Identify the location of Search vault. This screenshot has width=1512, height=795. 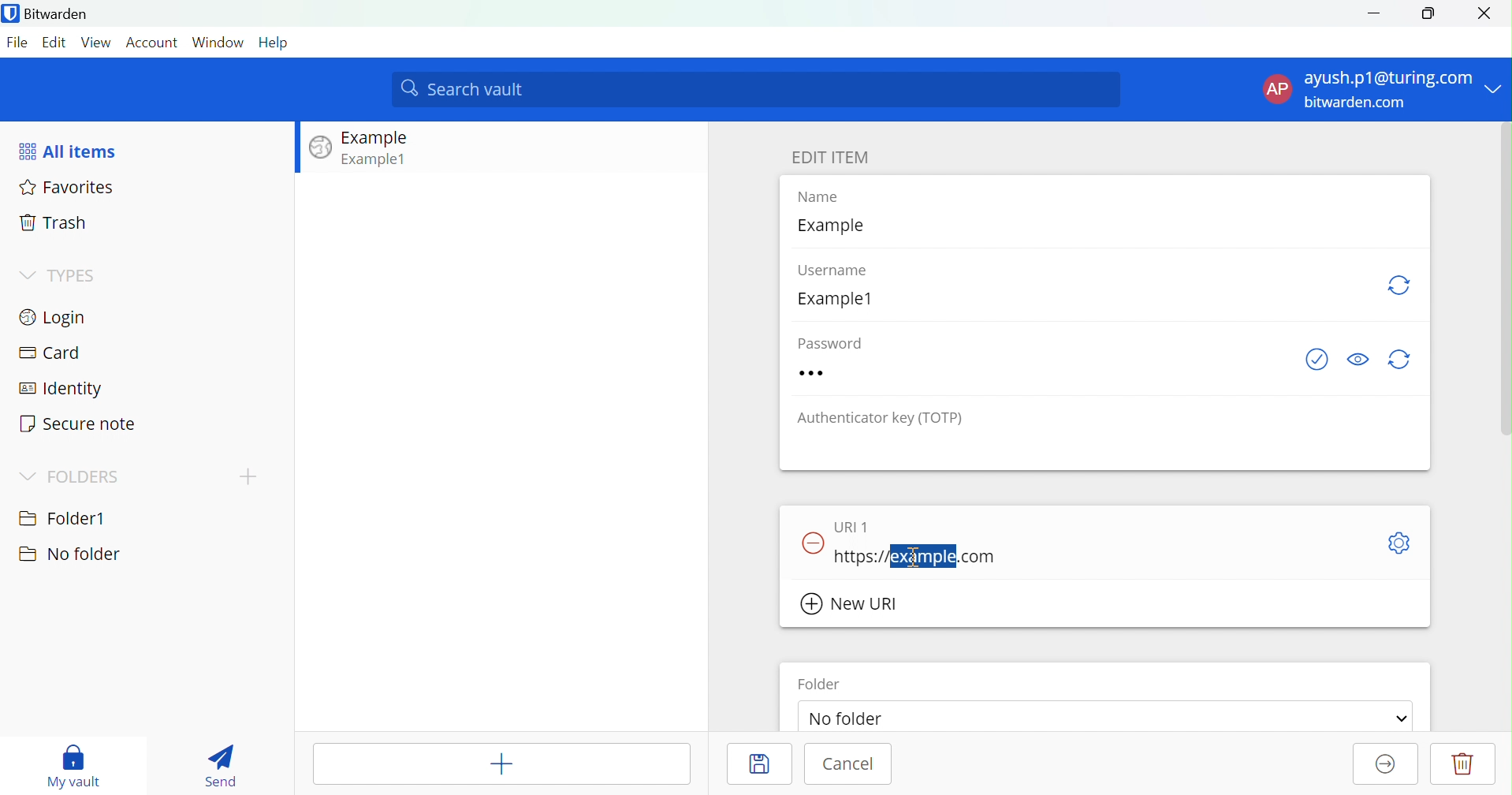
(757, 90).